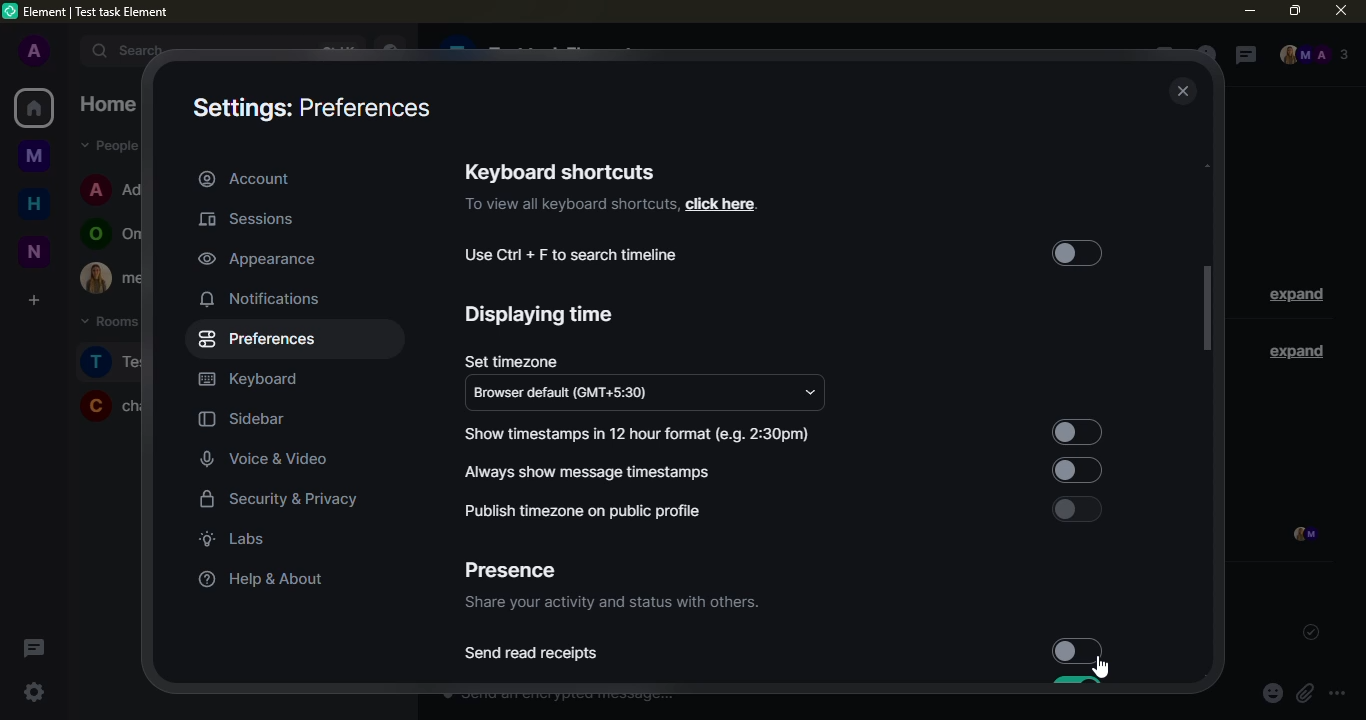 The width and height of the screenshot is (1366, 720). I want to click on home, so click(34, 108).